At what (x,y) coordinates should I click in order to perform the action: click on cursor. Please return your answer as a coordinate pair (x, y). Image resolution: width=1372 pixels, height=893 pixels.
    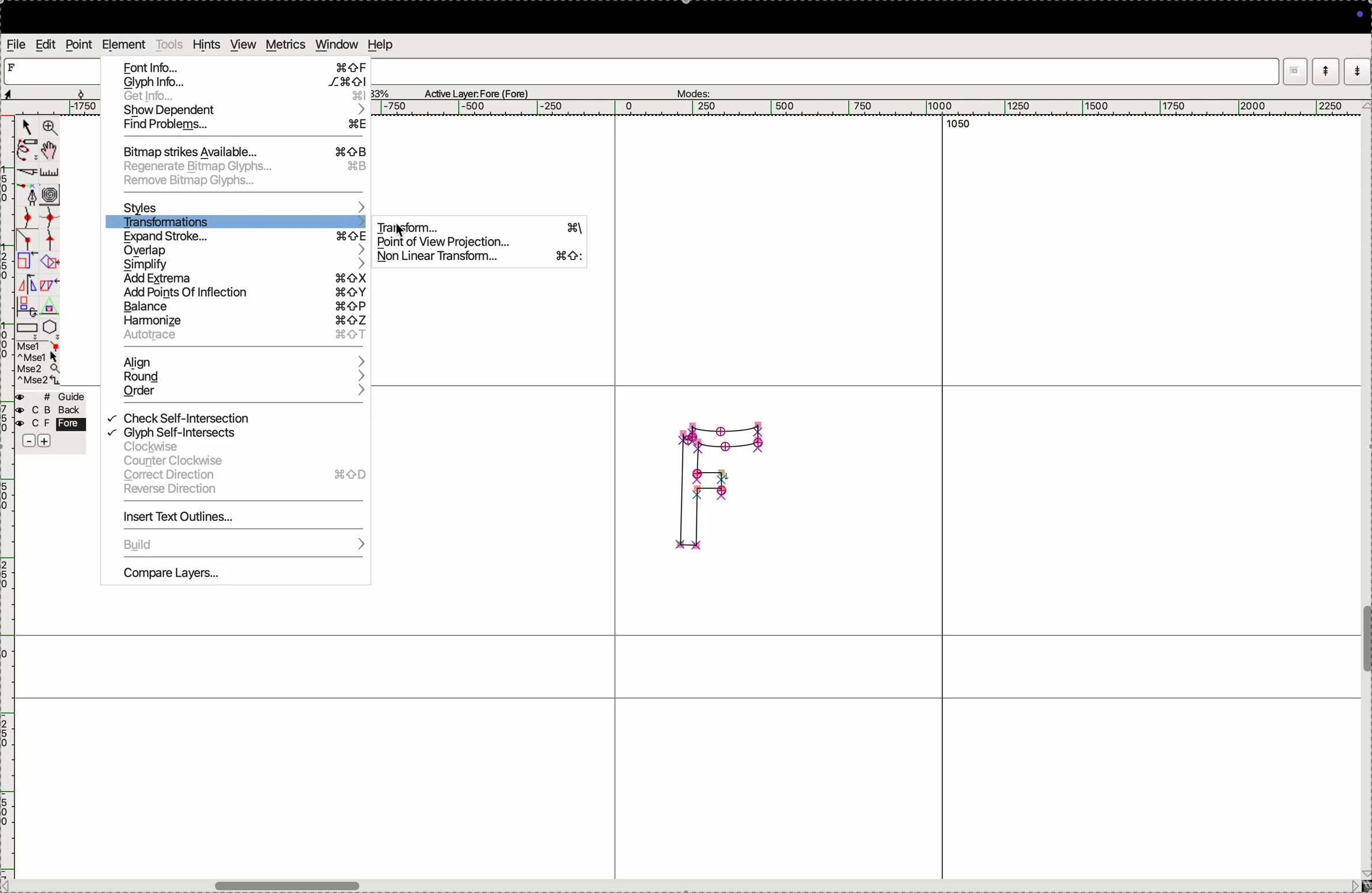
    Looking at the image, I should click on (25, 128).